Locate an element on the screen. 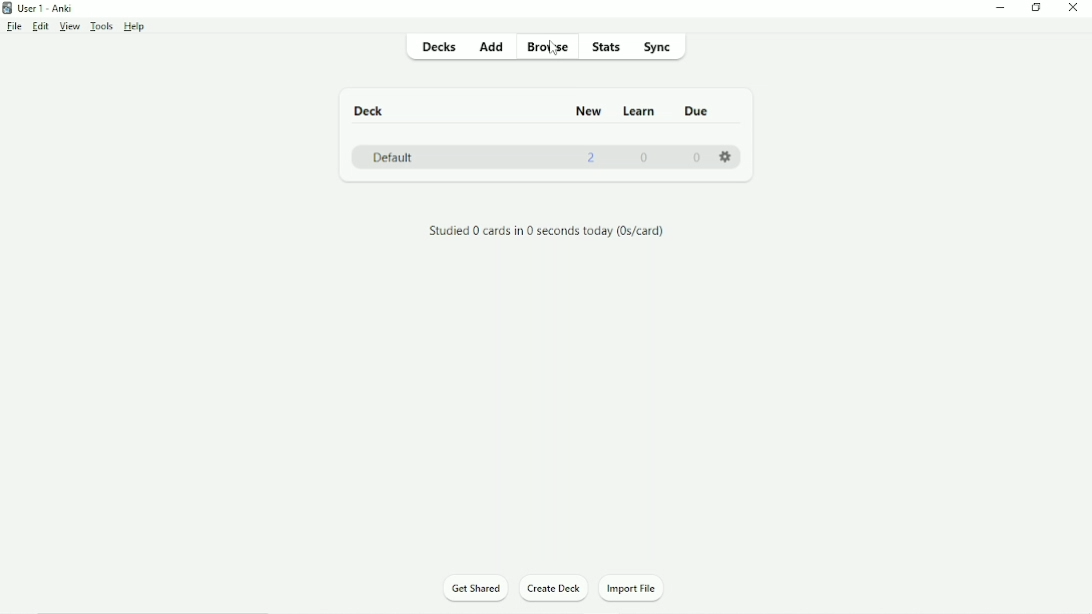 The width and height of the screenshot is (1092, 614). Default is located at coordinates (393, 157).